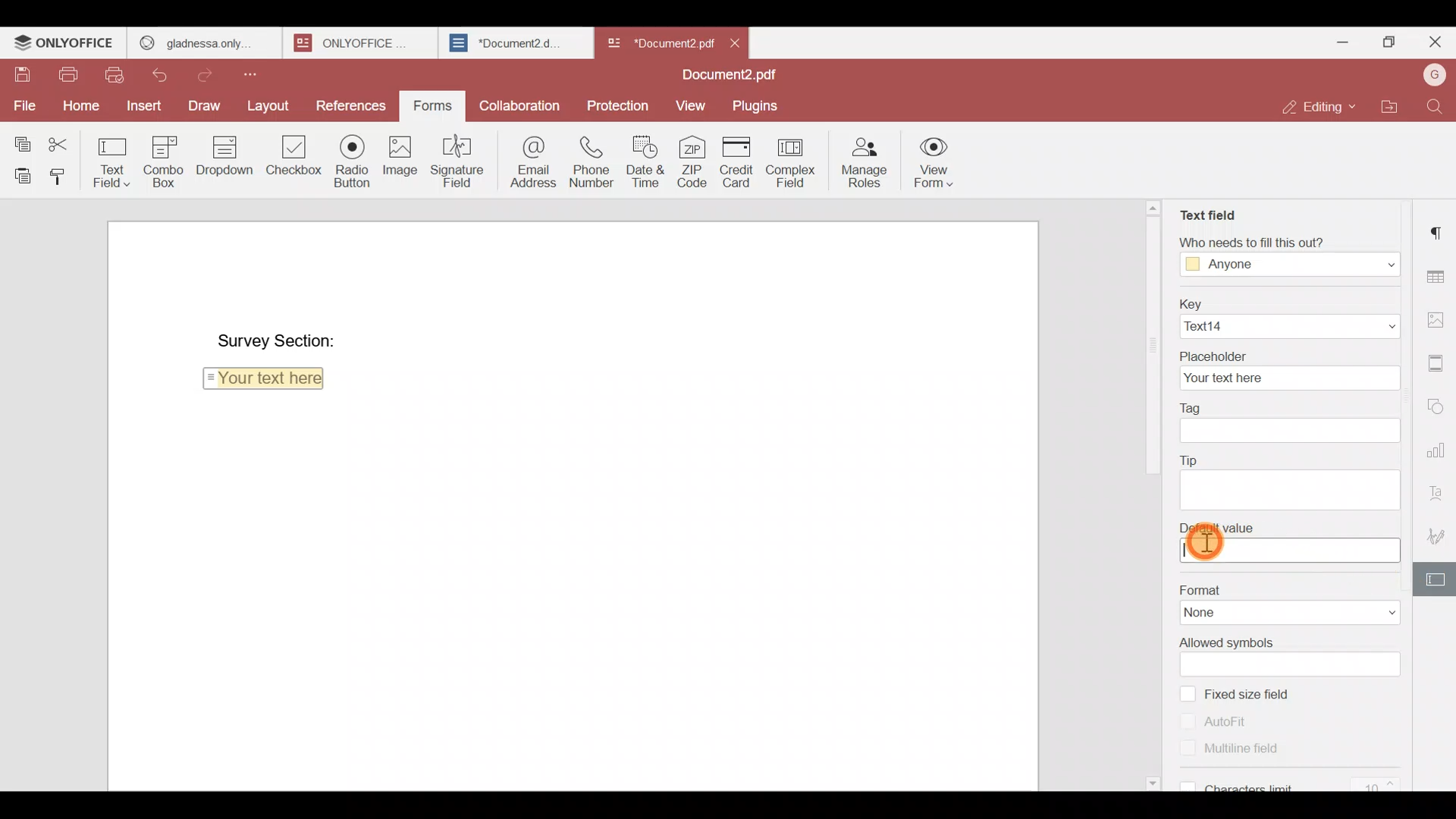 This screenshot has height=819, width=1456. Describe the element at coordinates (1289, 551) in the screenshot. I see `textbox` at that location.